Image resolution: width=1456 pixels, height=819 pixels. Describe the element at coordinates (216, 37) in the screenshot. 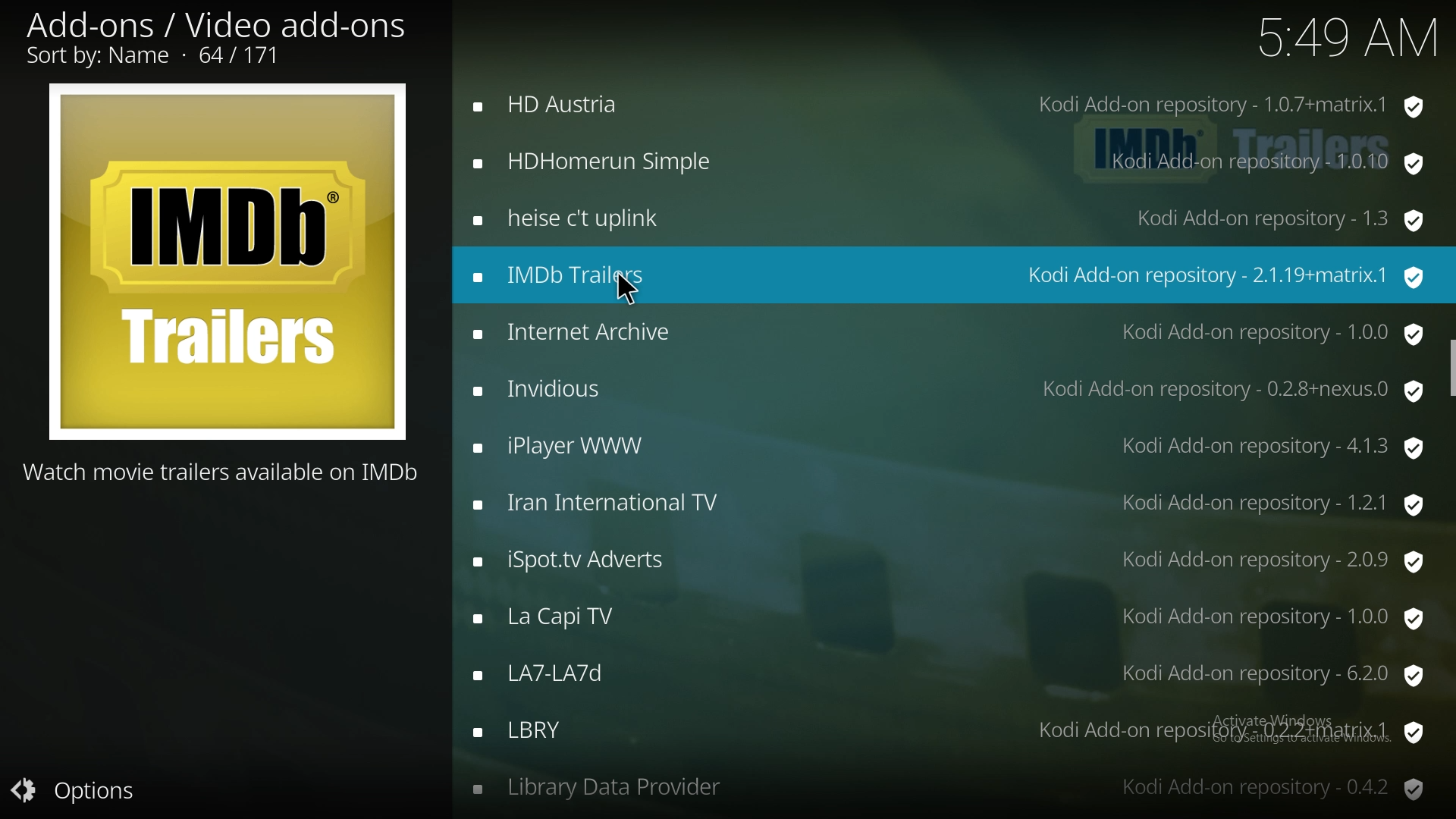

I see `video add ons` at that location.